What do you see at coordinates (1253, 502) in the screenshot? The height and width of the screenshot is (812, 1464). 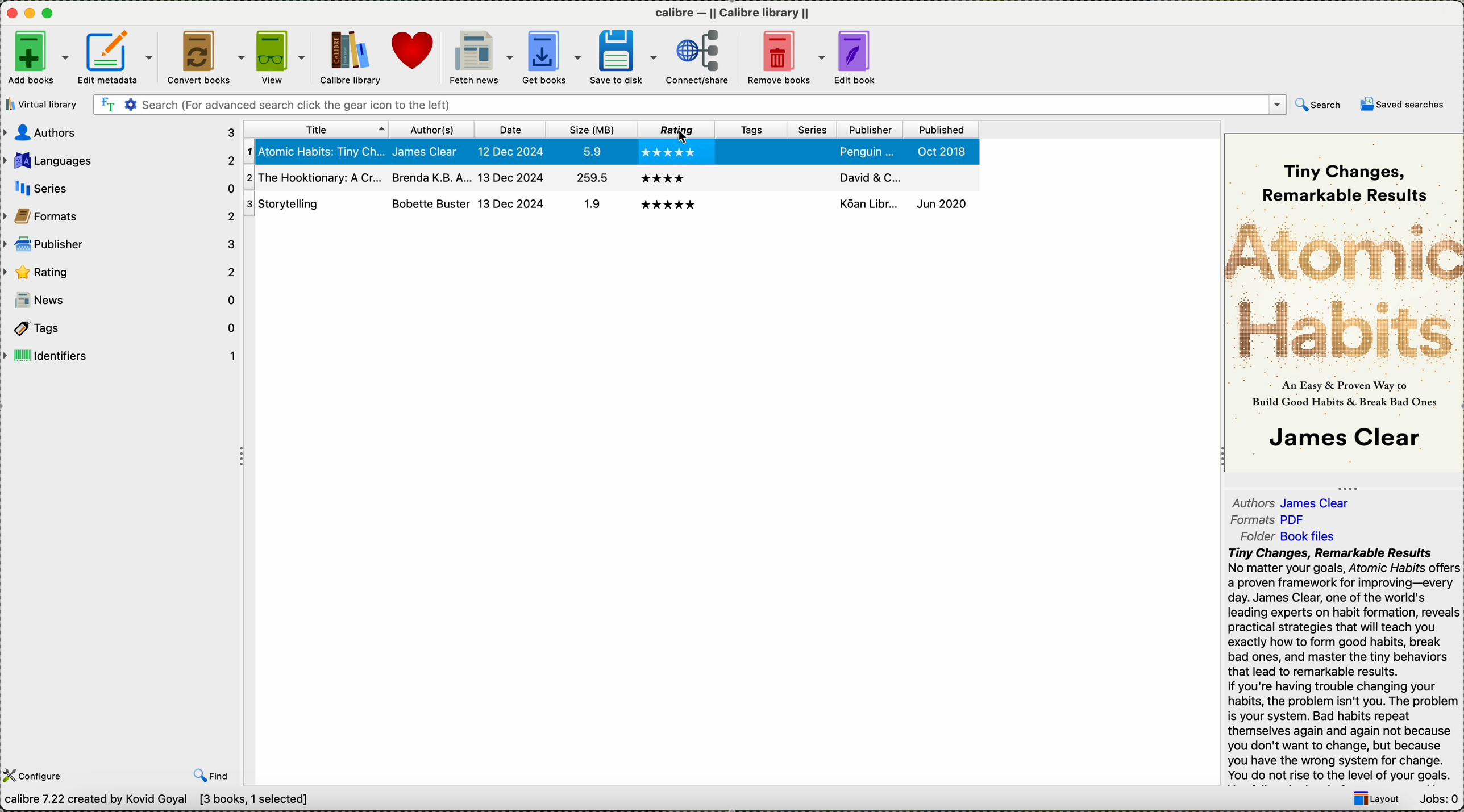 I see `Authors` at bounding box center [1253, 502].